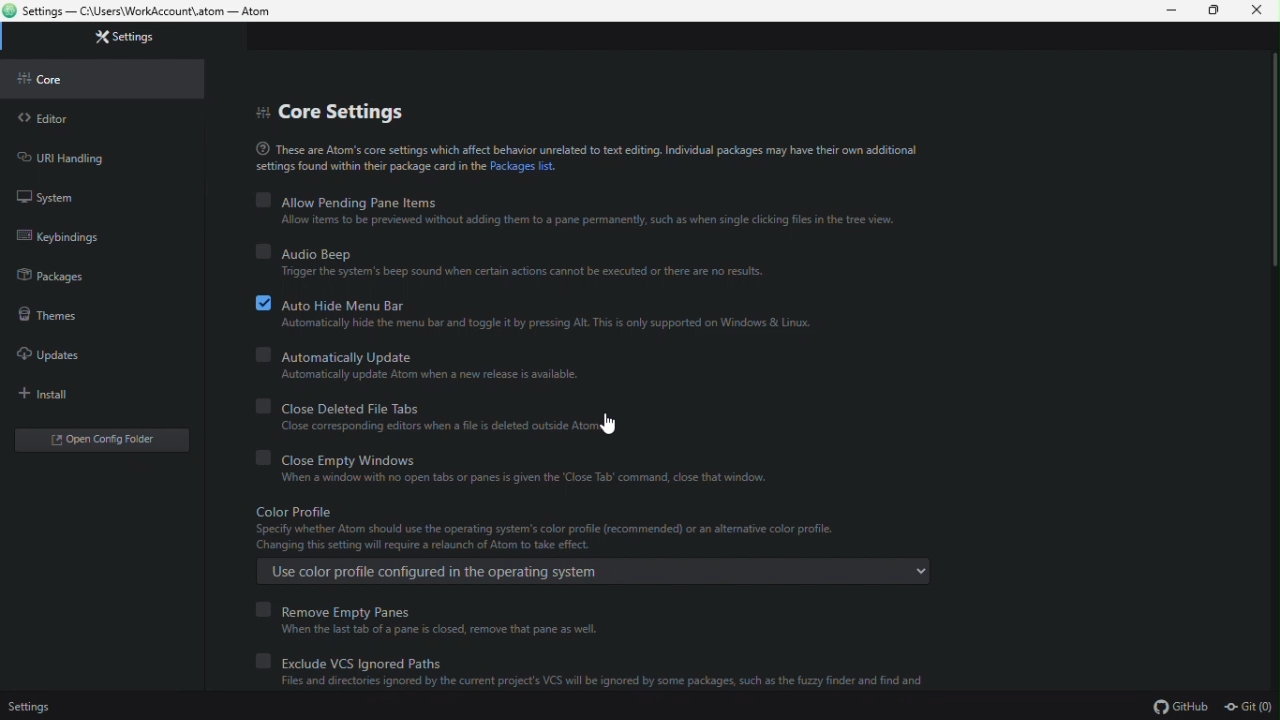 The image size is (1280, 720). Describe the element at coordinates (79, 393) in the screenshot. I see `Install` at that location.